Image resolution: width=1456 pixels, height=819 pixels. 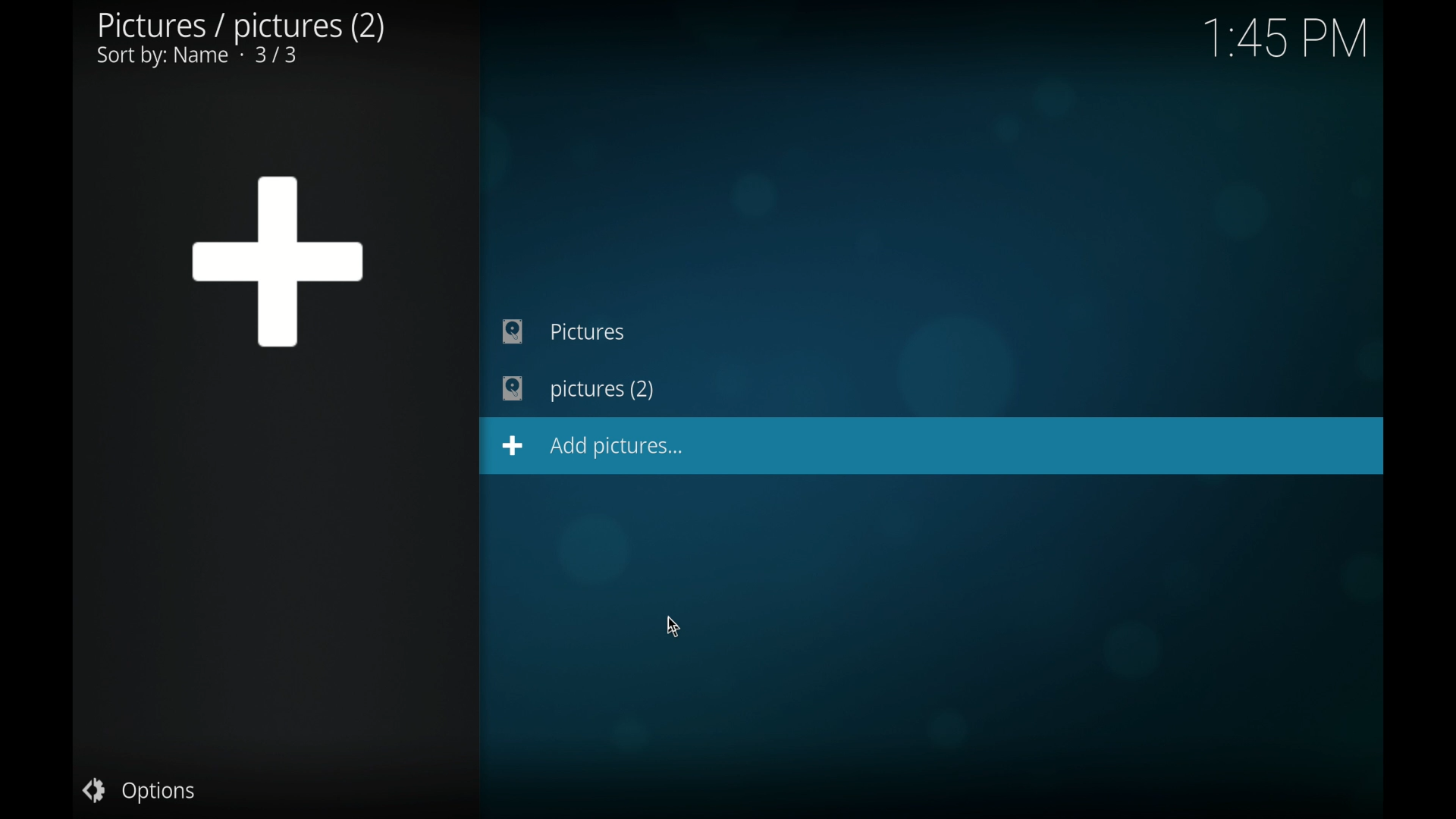 I want to click on time, so click(x=1285, y=39).